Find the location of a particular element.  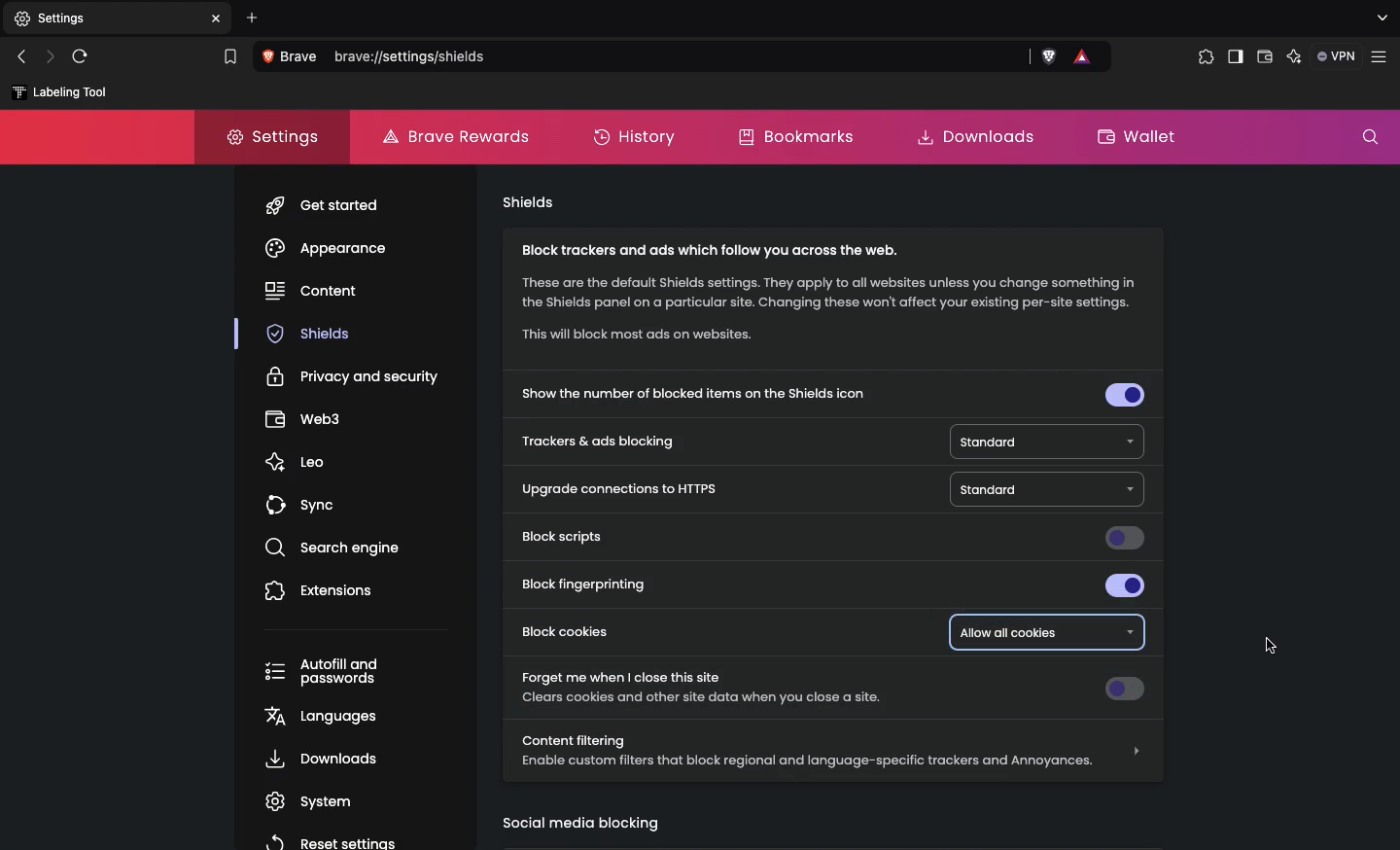

customize and control brave is located at coordinates (1382, 55).